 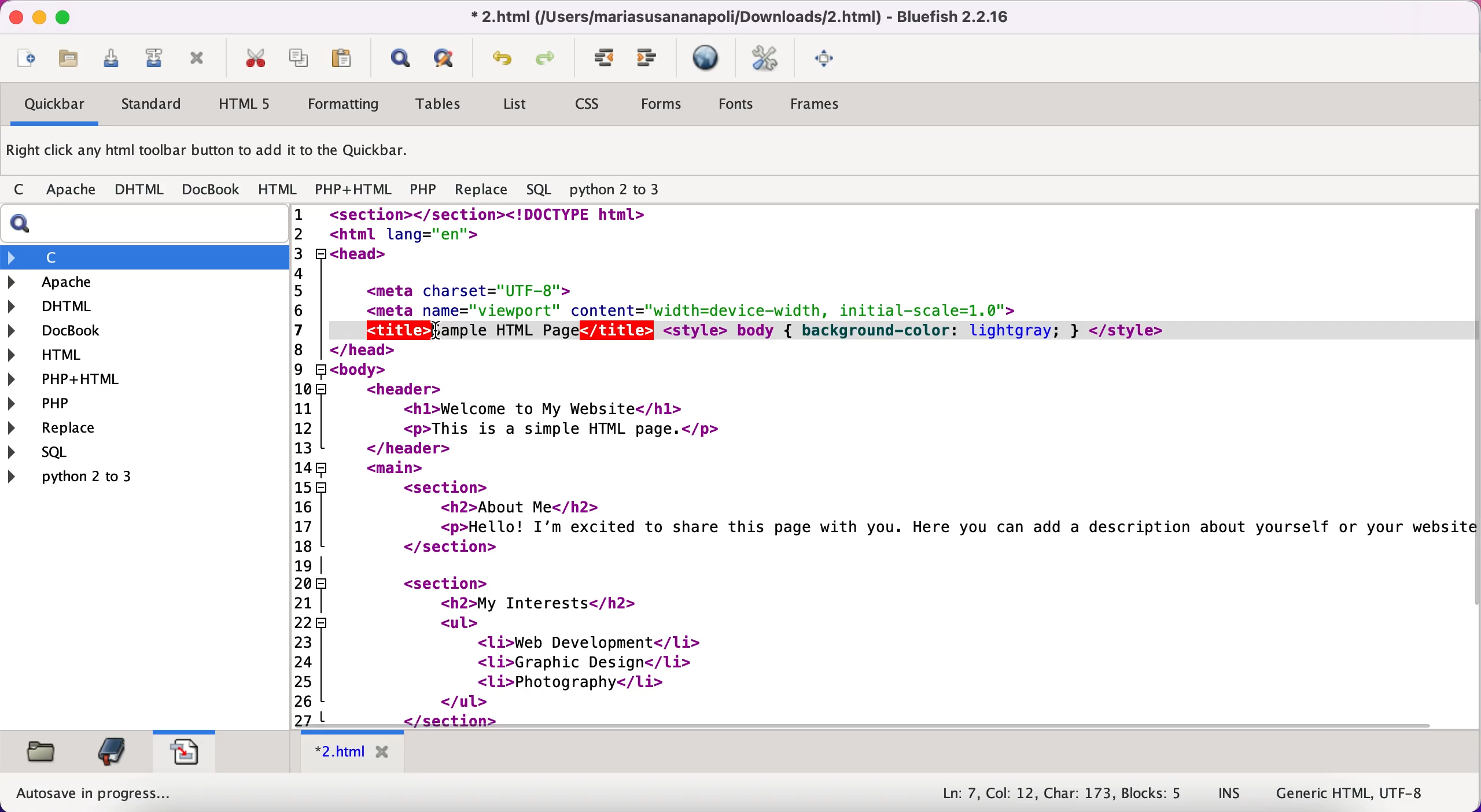 I want to click on dhtml, so click(x=140, y=190).